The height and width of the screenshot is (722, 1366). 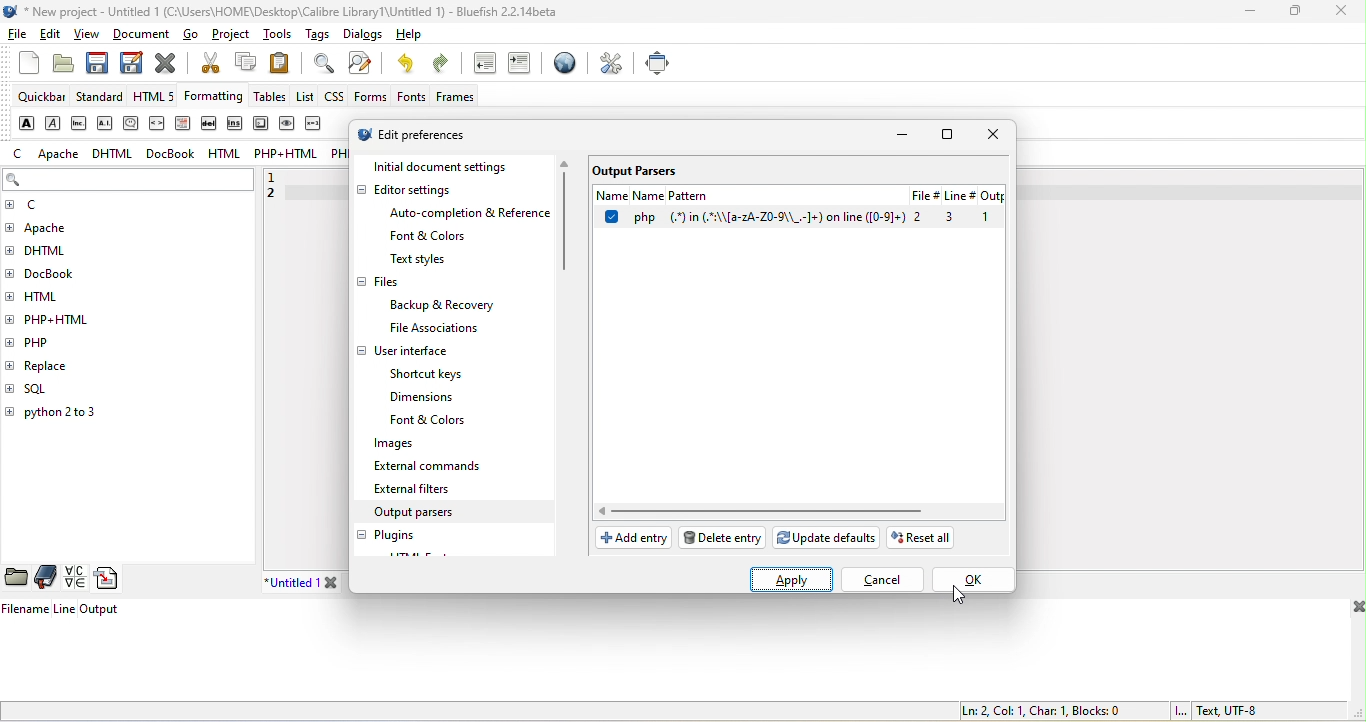 What do you see at coordinates (433, 374) in the screenshot?
I see `shortcut keys` at bounding box center [433, 374].